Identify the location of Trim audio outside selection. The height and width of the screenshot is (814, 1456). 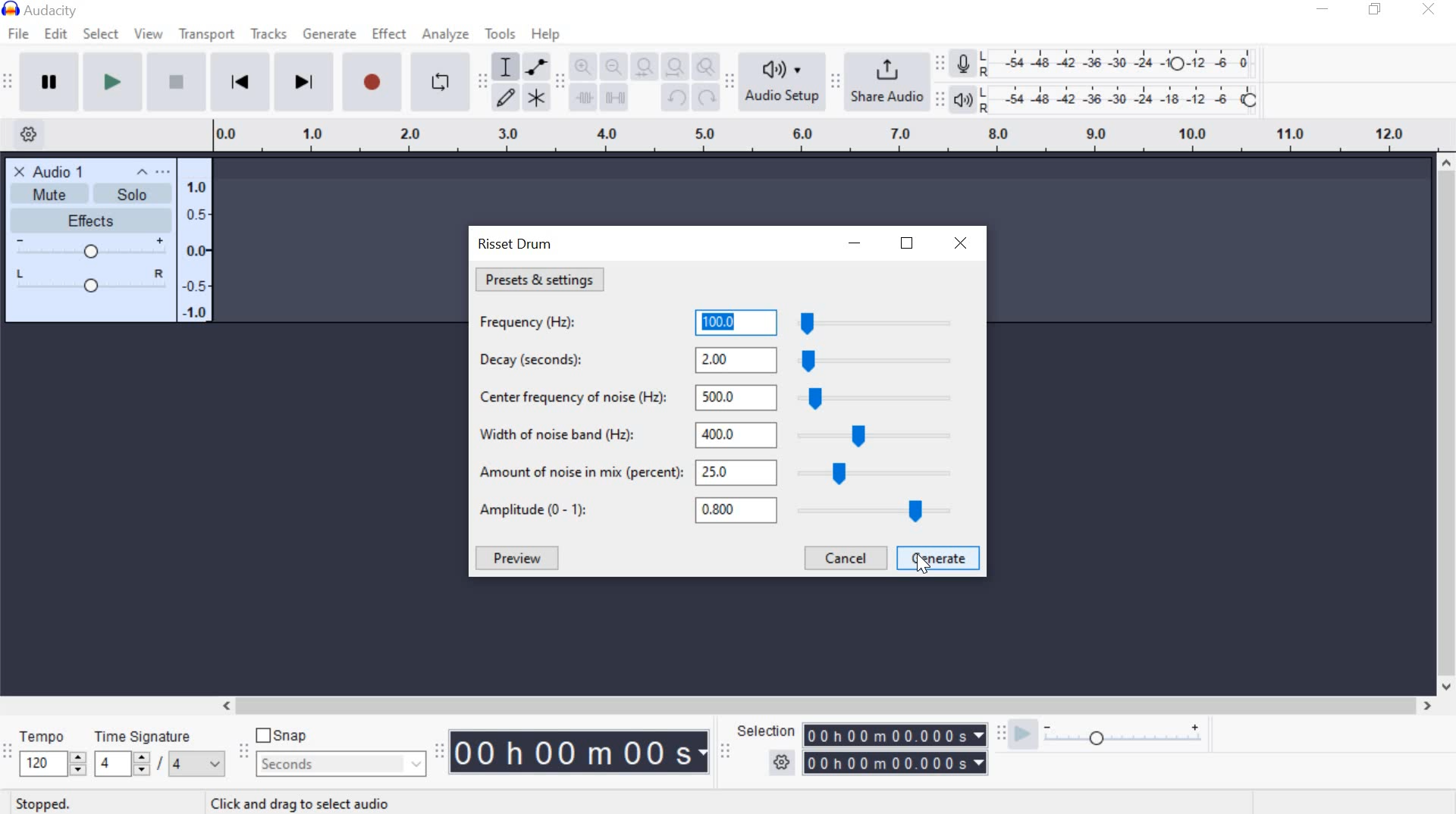
(584, 101).